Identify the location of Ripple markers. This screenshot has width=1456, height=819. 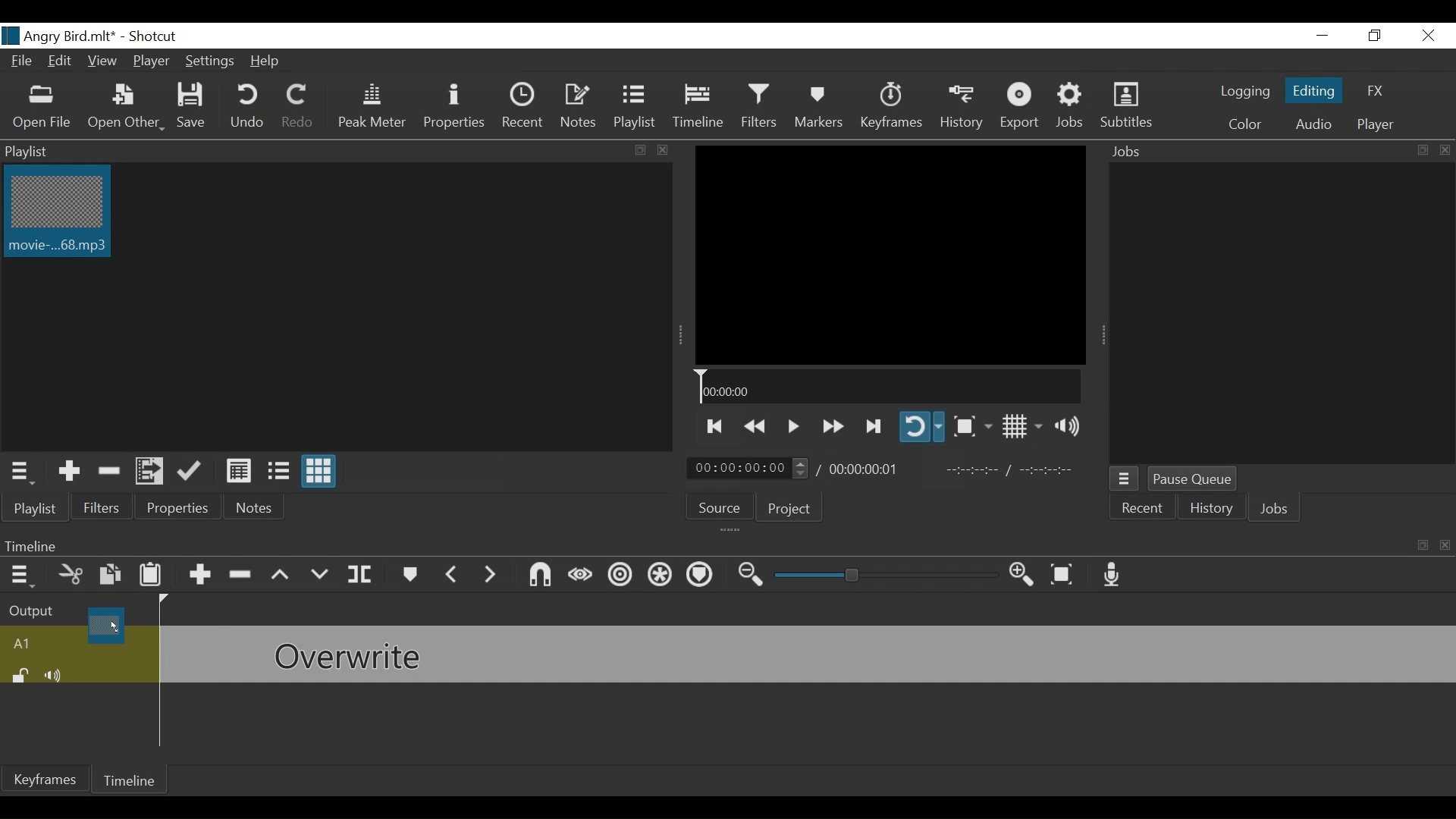
(701, 574).